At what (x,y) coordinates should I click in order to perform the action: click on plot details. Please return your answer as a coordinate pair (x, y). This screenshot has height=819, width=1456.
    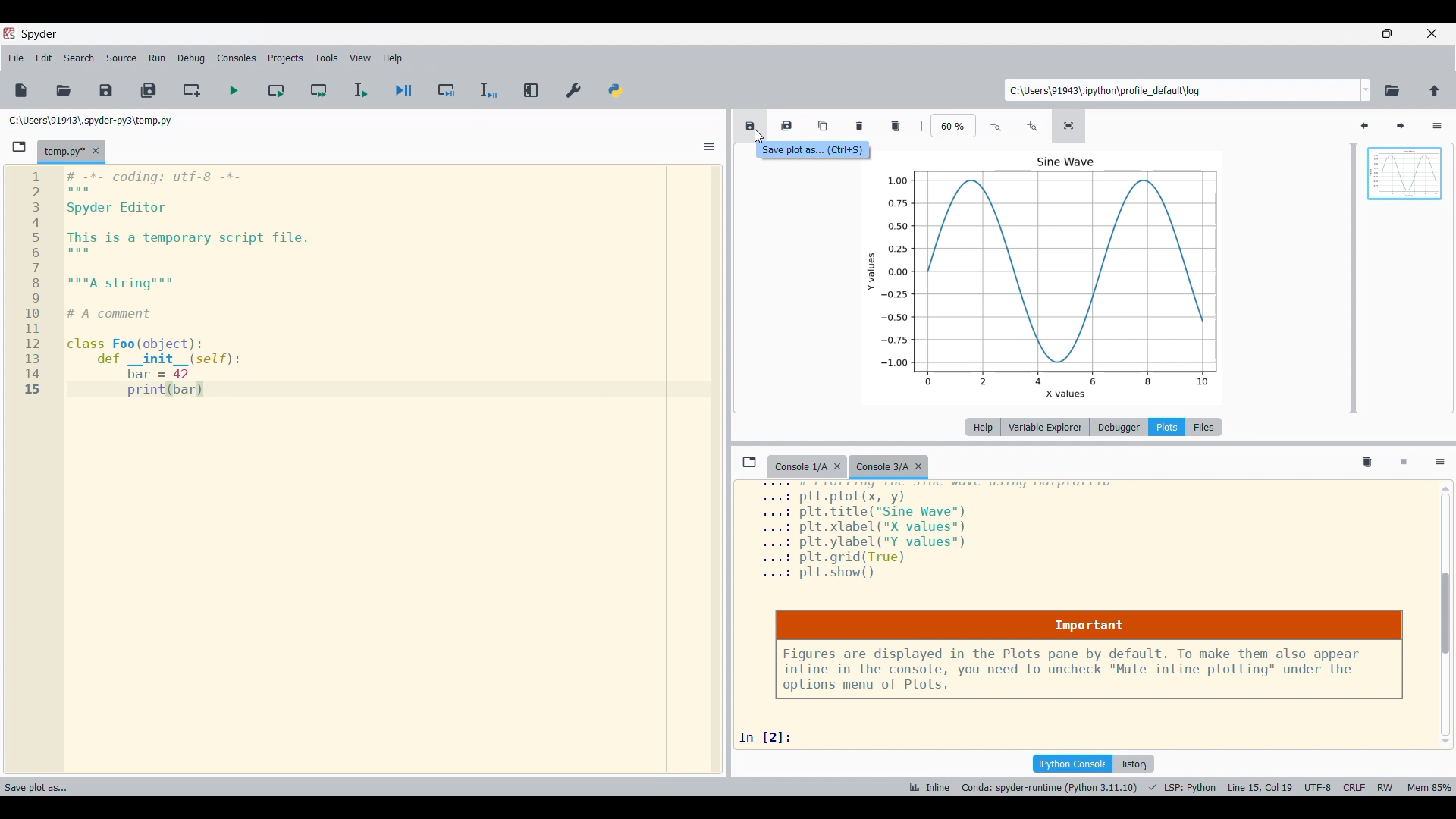
    Looking at the image, I should click on (944, 534).